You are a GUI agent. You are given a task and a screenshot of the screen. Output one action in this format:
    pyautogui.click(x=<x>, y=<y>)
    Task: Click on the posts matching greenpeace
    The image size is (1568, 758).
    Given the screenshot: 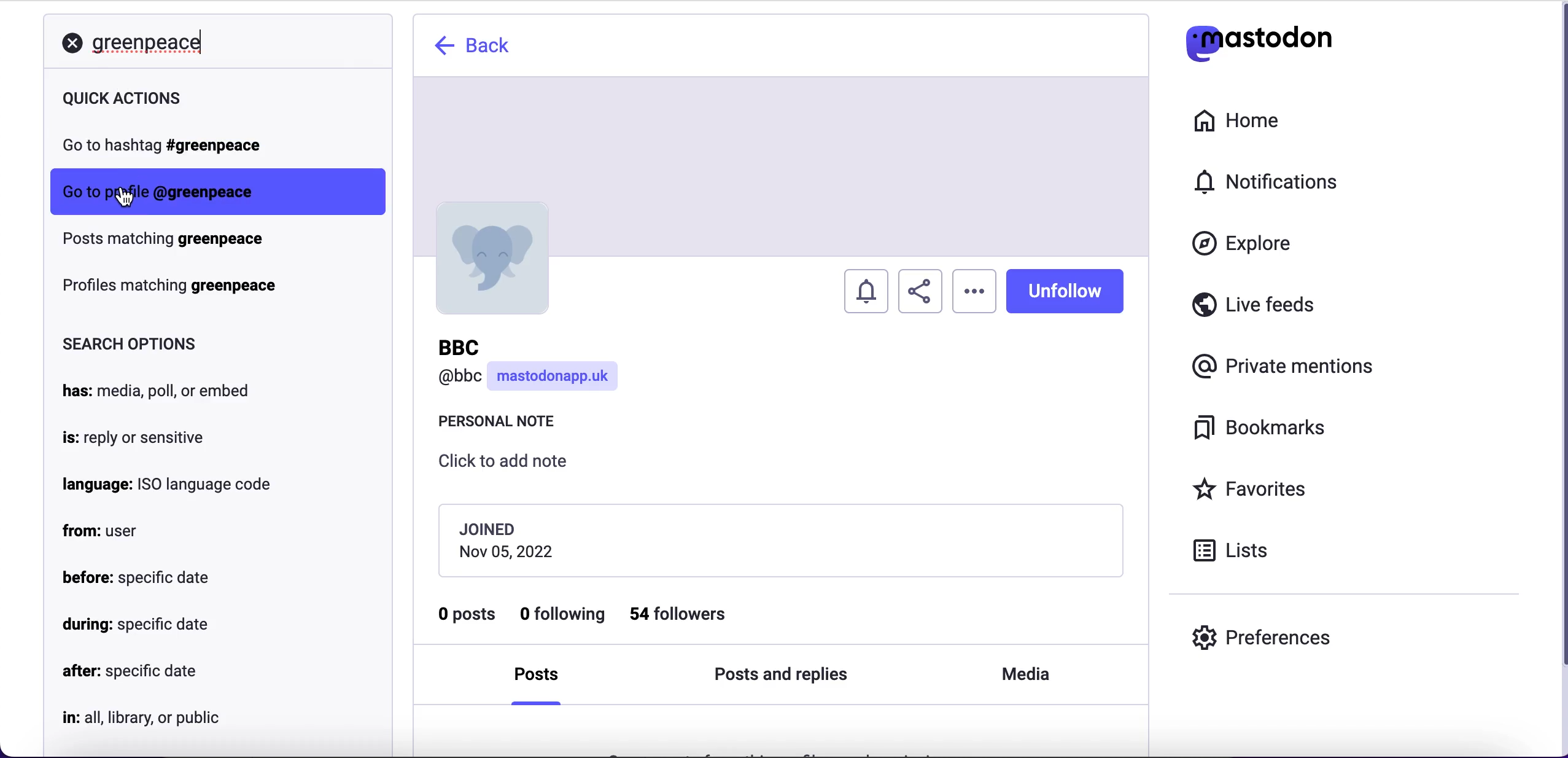 What is the action you would take?
    pyautogui.click(x=176, y=243)
    